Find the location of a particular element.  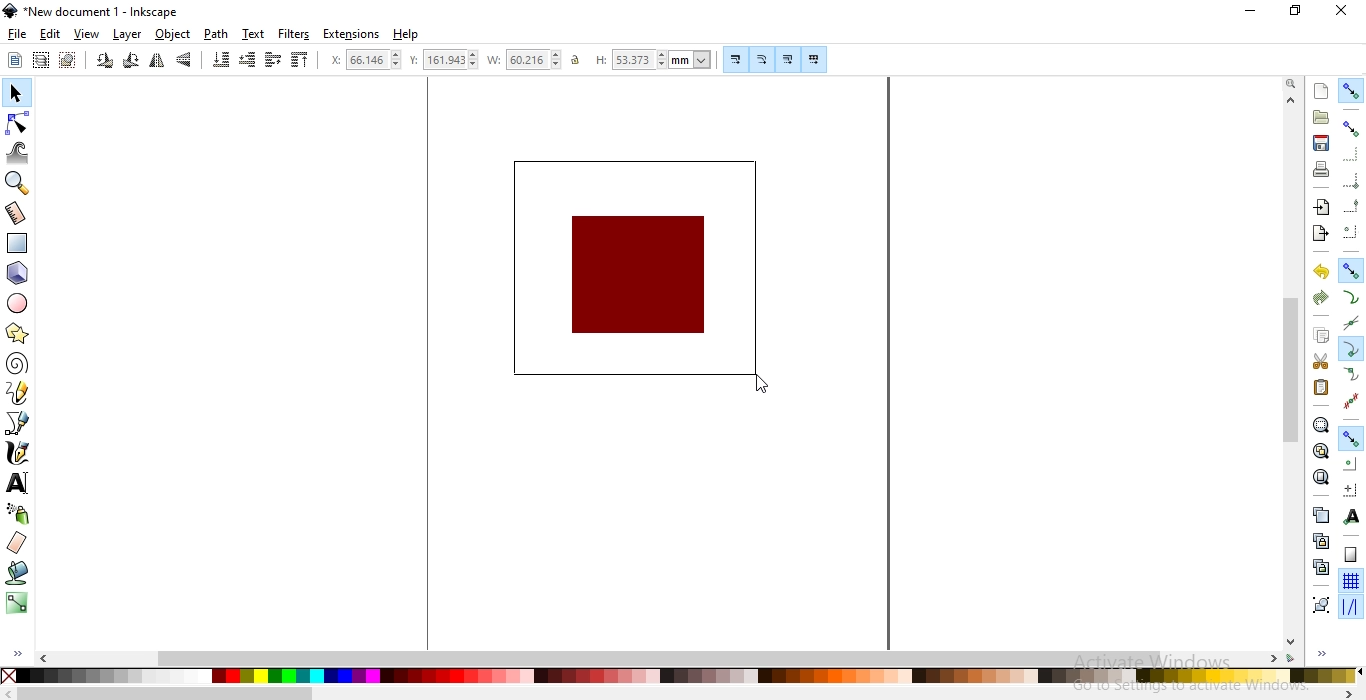

snap to page border is located at coordinates (1350, 555).